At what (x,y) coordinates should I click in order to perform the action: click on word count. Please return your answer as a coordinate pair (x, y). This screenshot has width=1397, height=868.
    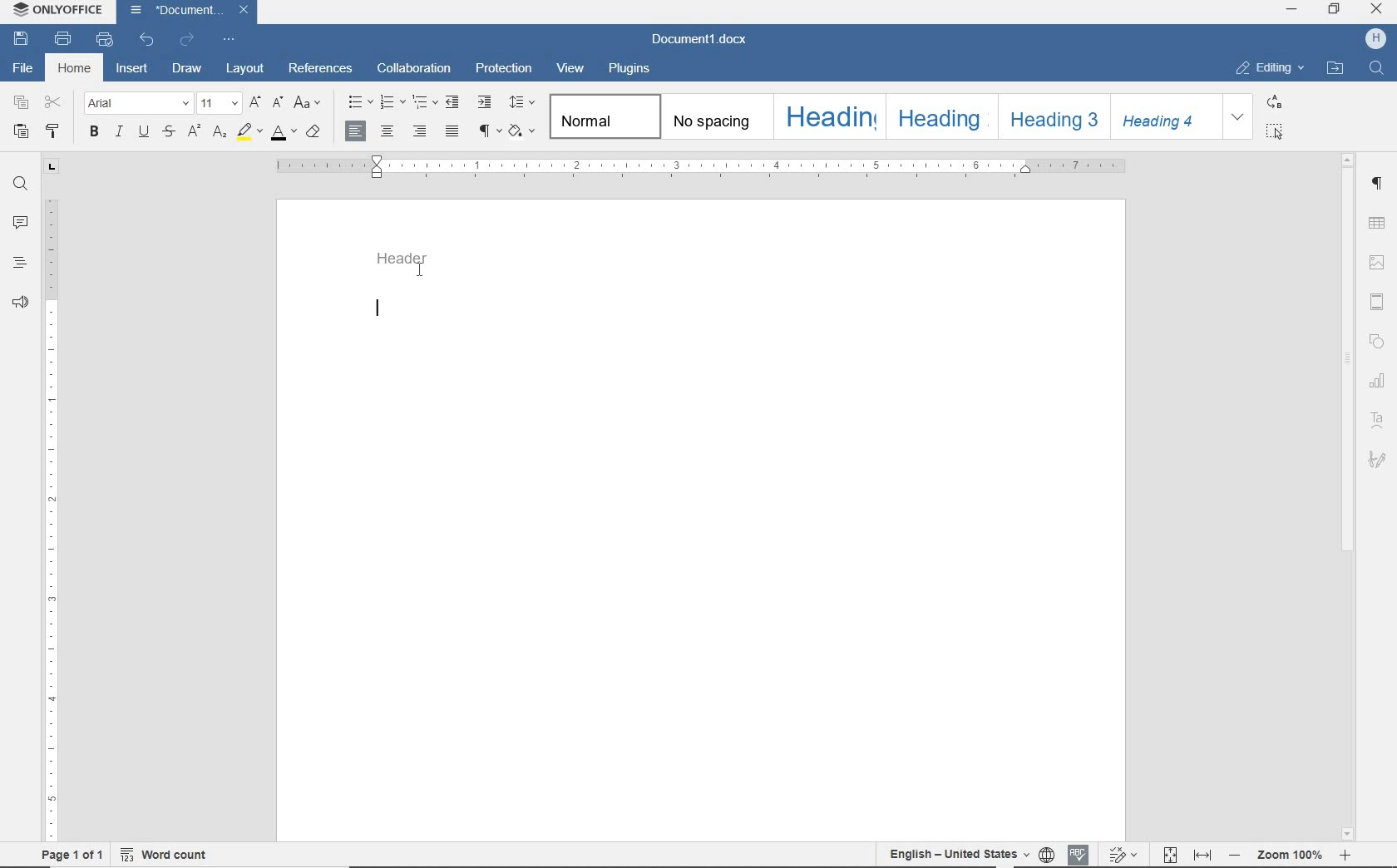
    Looking at the image, I should click on (165, 855).